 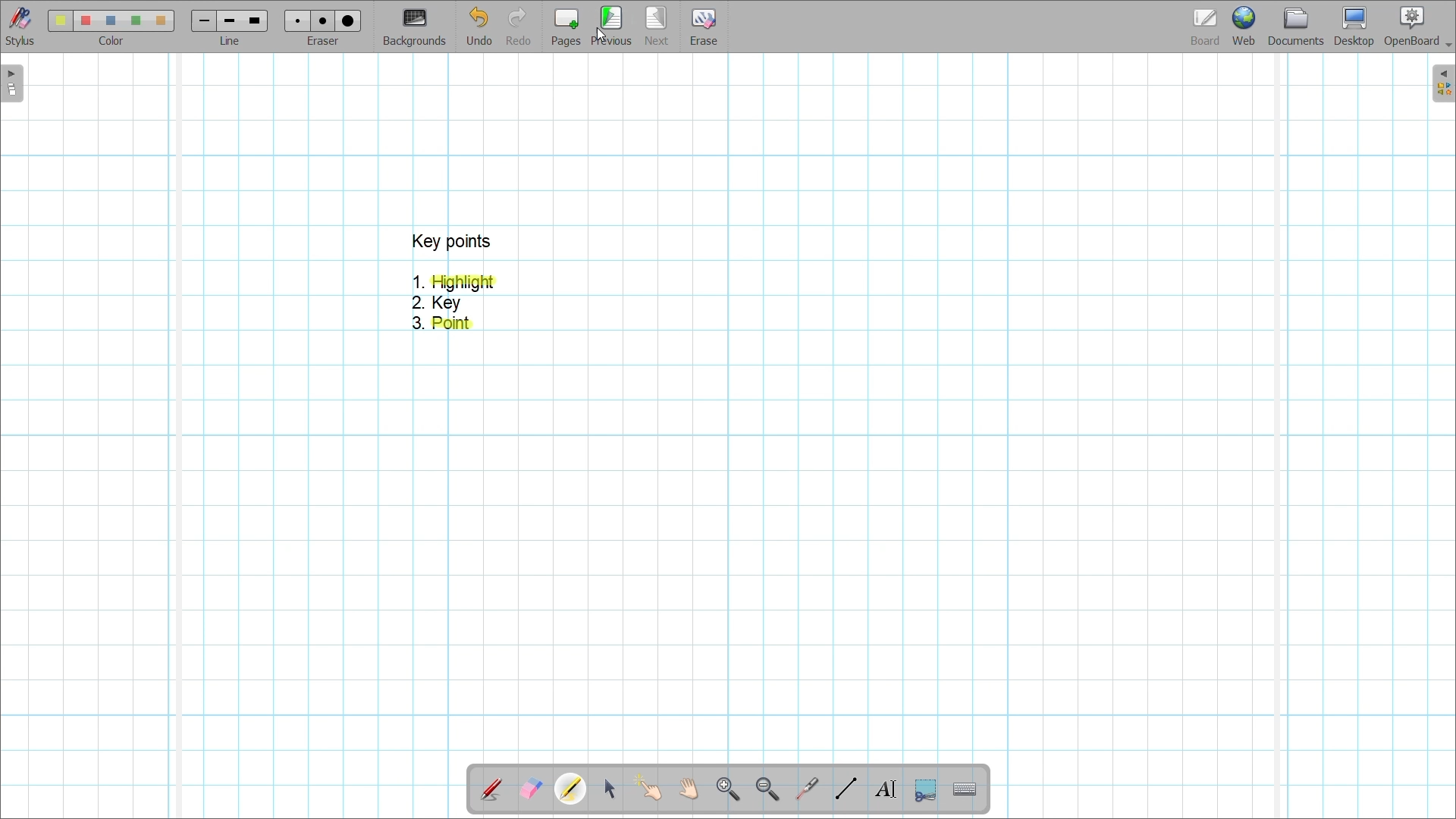 I want to click on eraser 3, so click(x=349, y=20).